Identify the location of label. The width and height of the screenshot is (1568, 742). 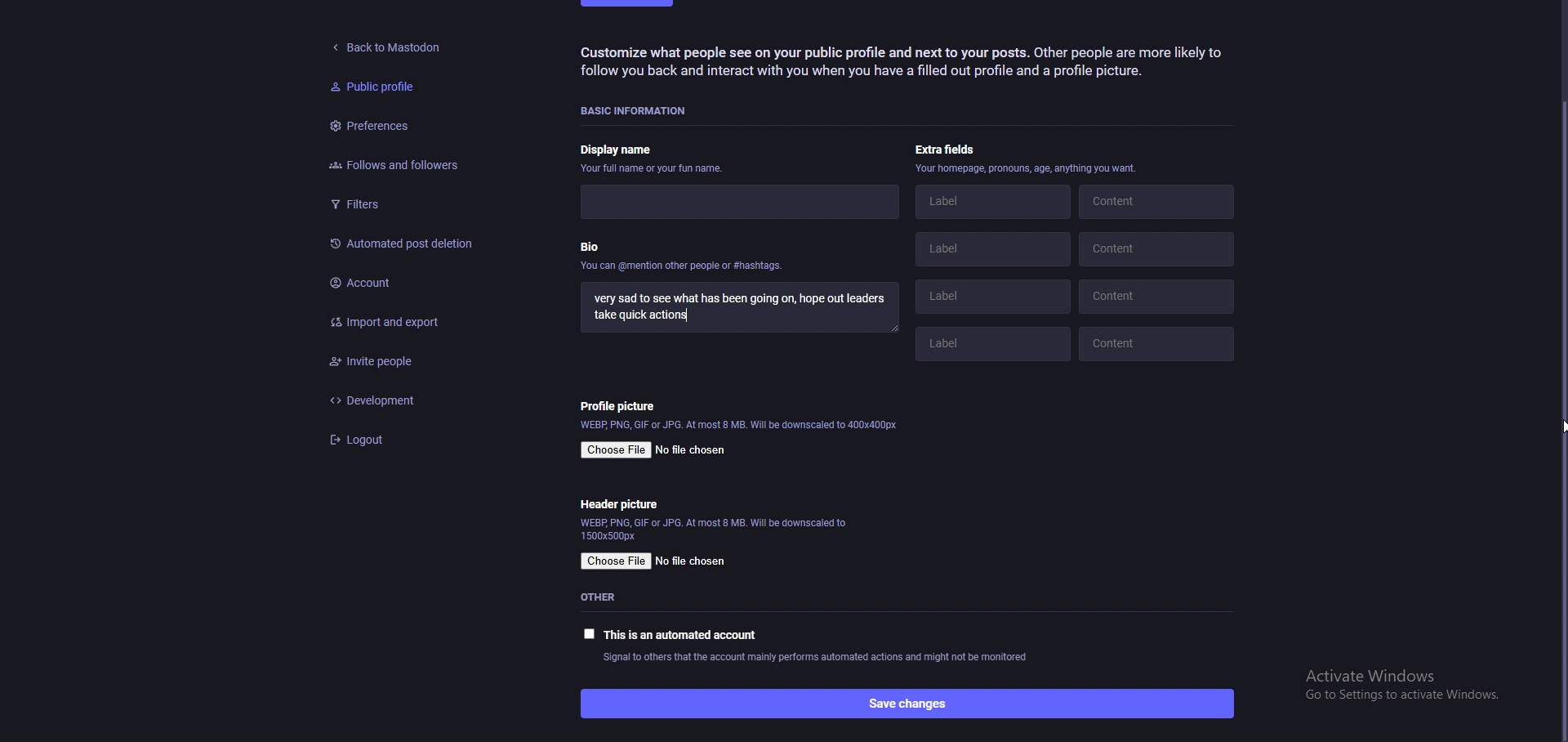
(992, 252).